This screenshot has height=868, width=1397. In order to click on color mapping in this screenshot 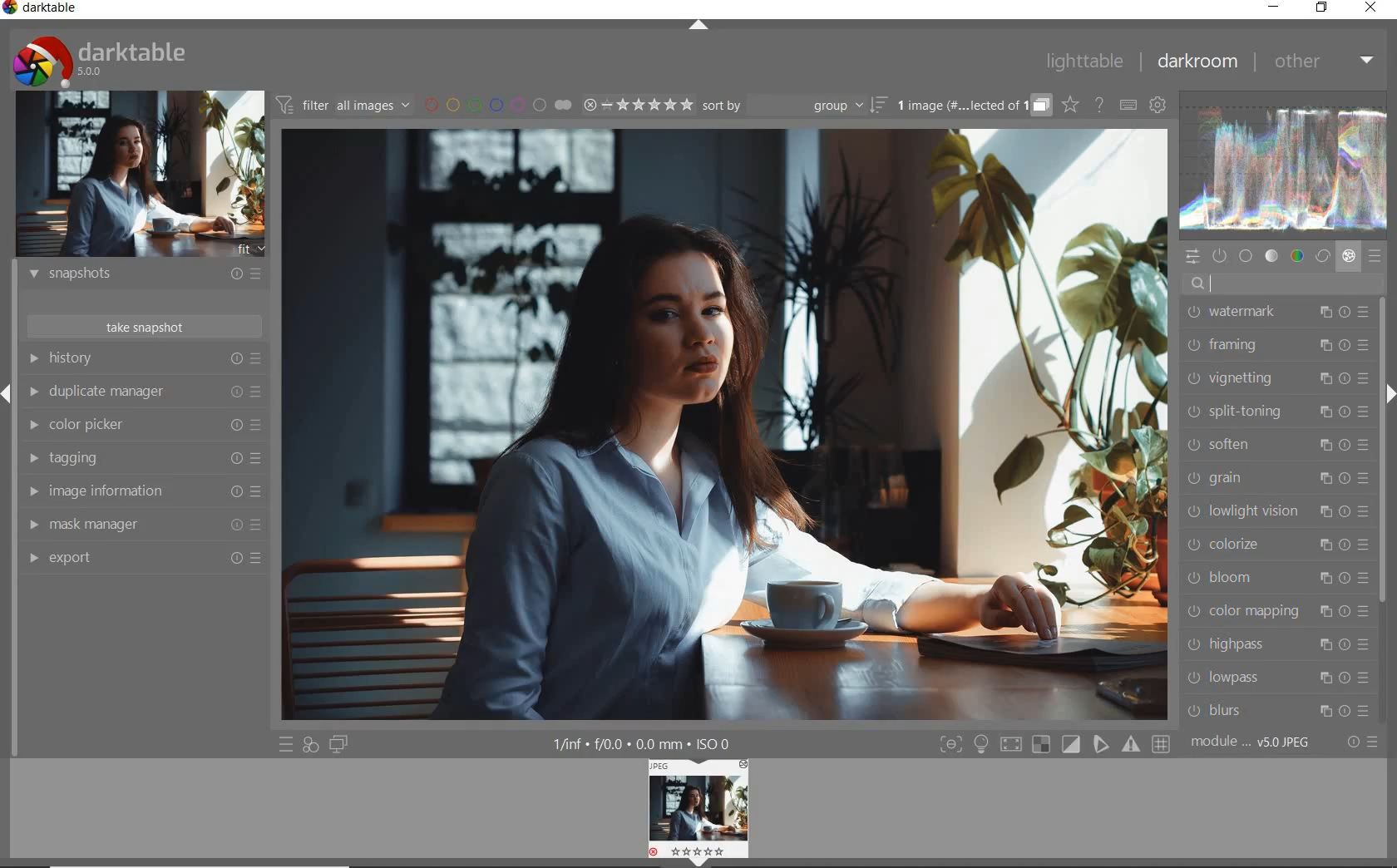, I will do `click(1277, 611)`.